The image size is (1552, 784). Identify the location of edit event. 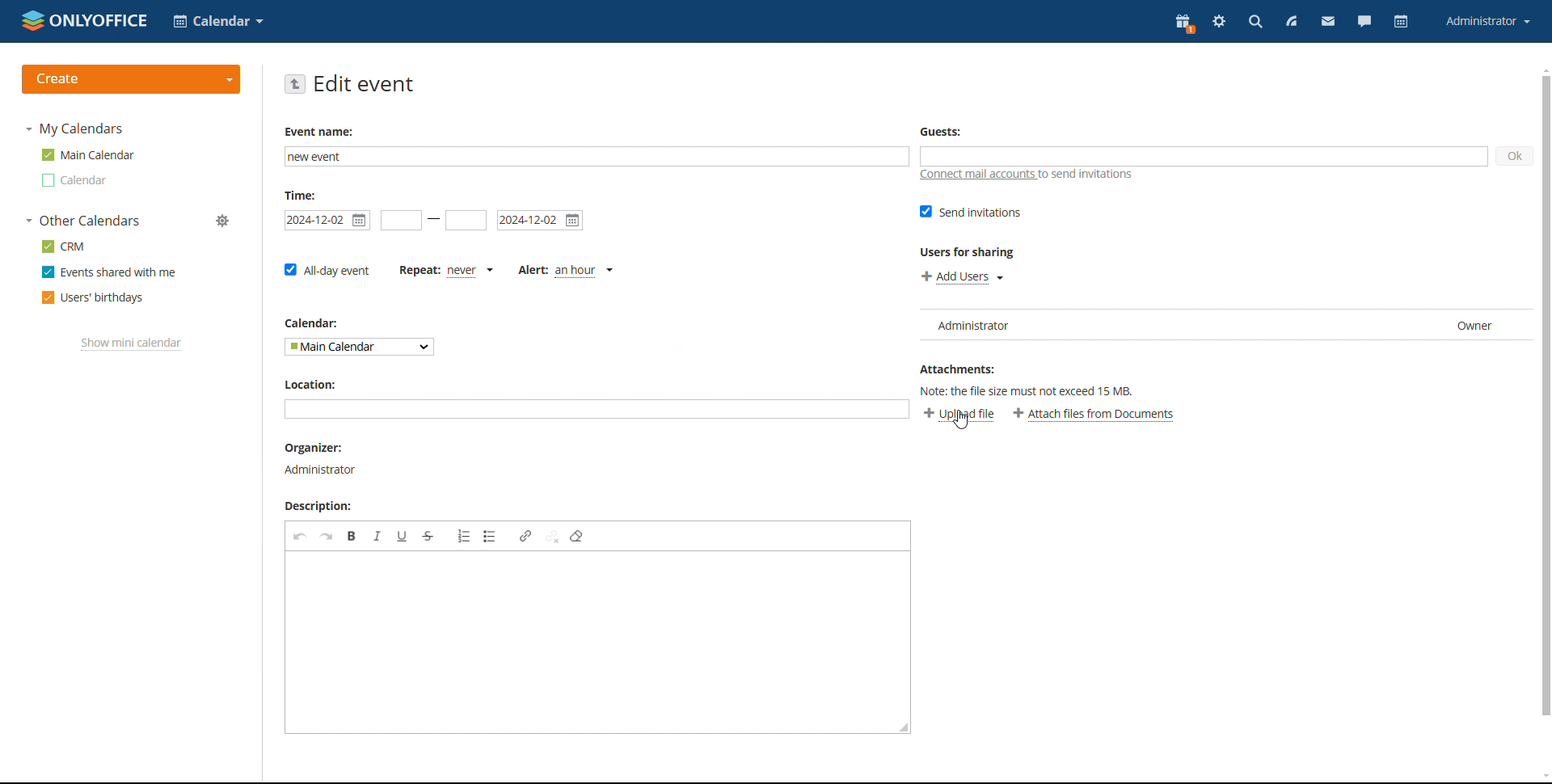
(365, 84).